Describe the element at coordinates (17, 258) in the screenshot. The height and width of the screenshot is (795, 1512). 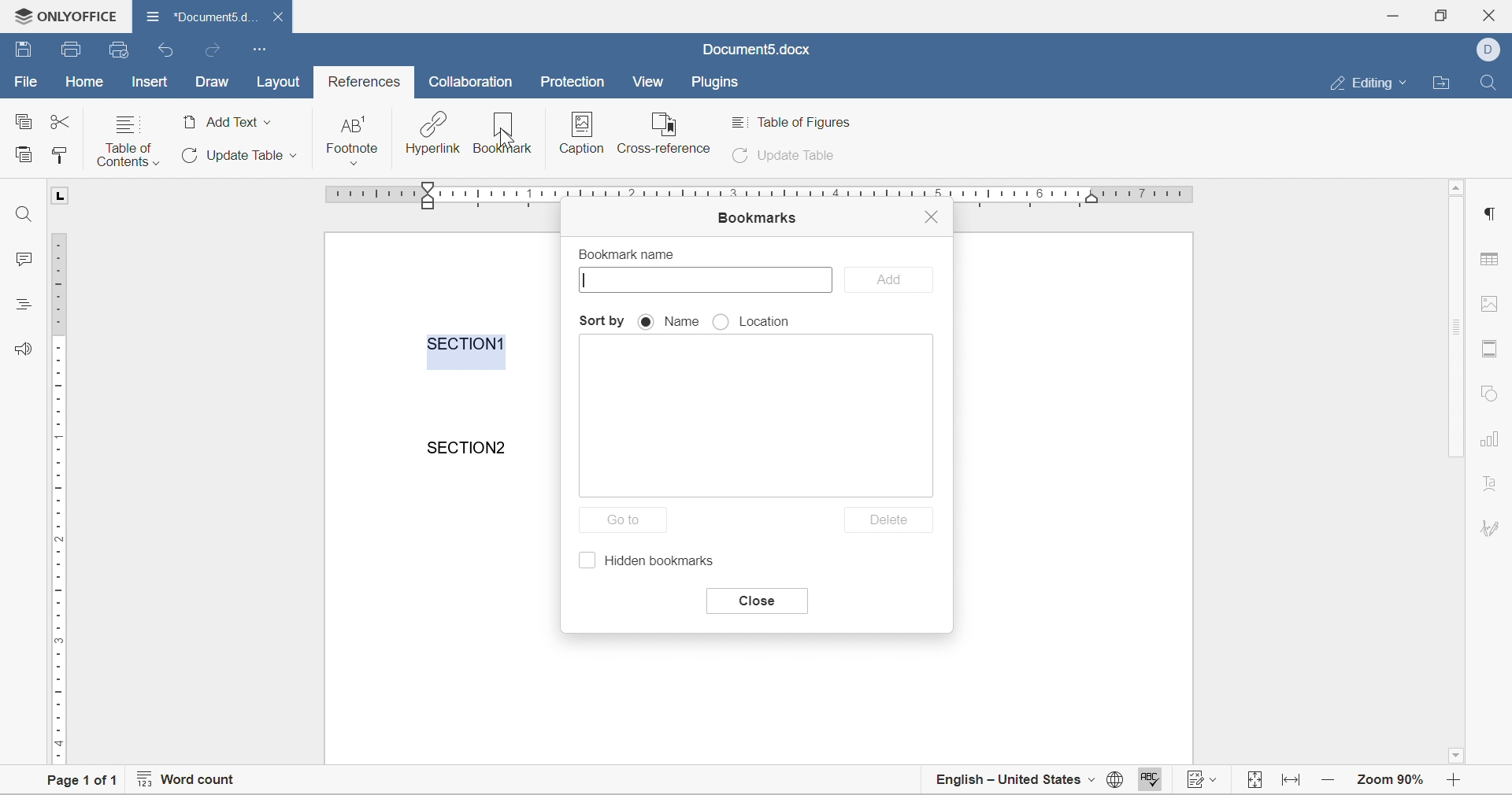
I see `comments` at that location.